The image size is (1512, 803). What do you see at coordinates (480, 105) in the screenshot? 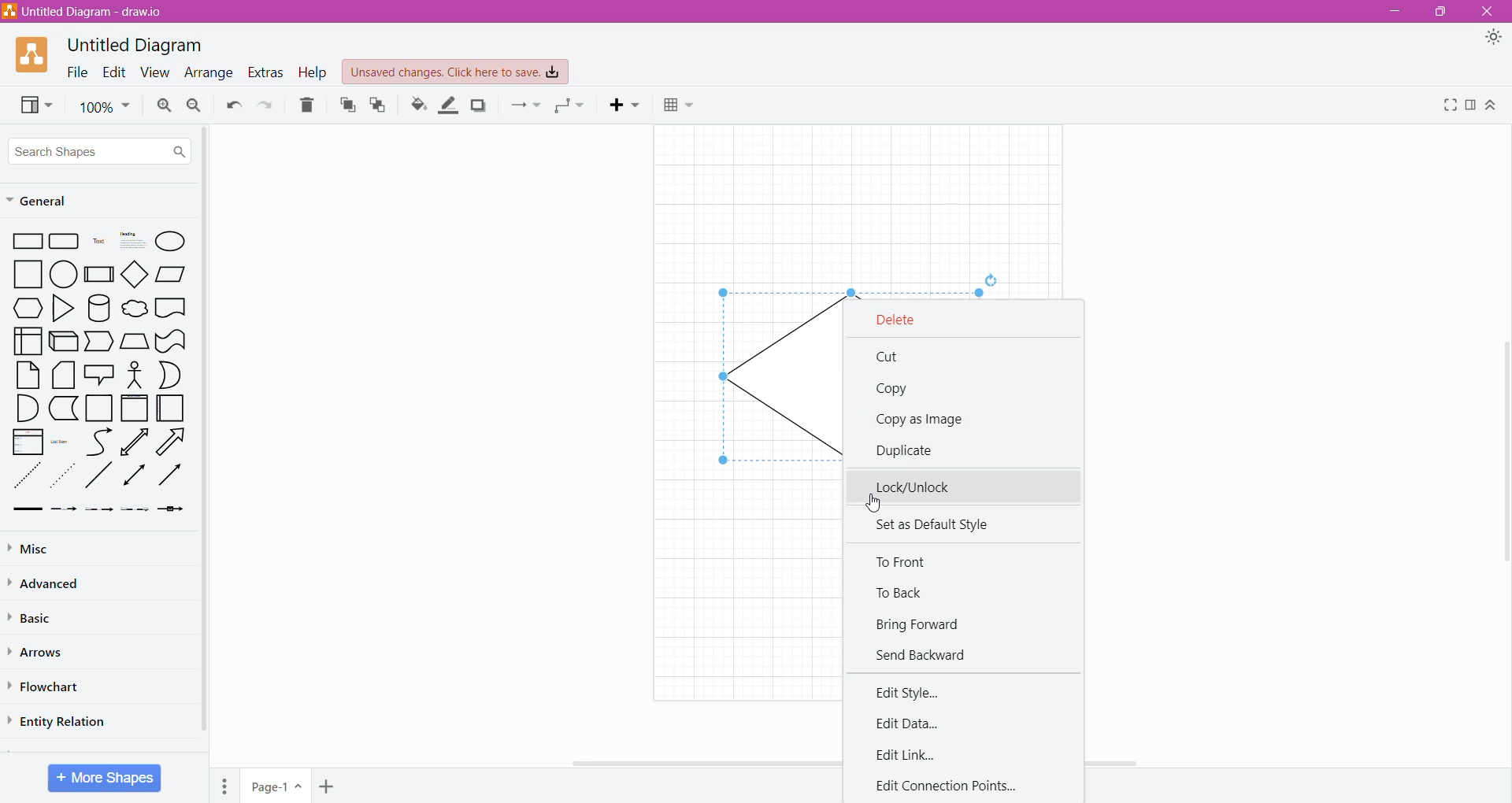
I see `Shadow` at bounding box center [480, 105].